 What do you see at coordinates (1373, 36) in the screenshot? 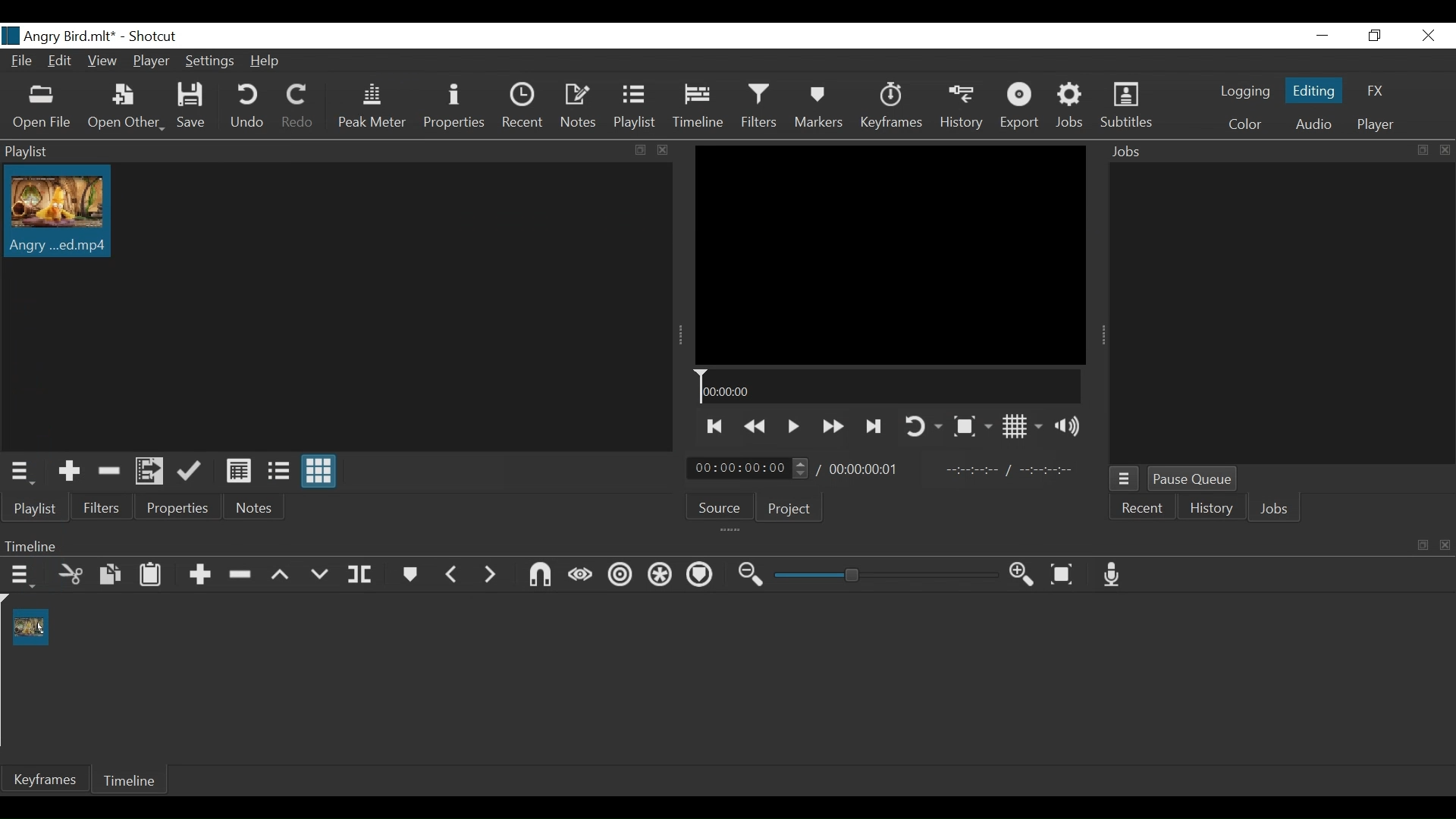
I see `Restore` at bounding box center [1373, 36].